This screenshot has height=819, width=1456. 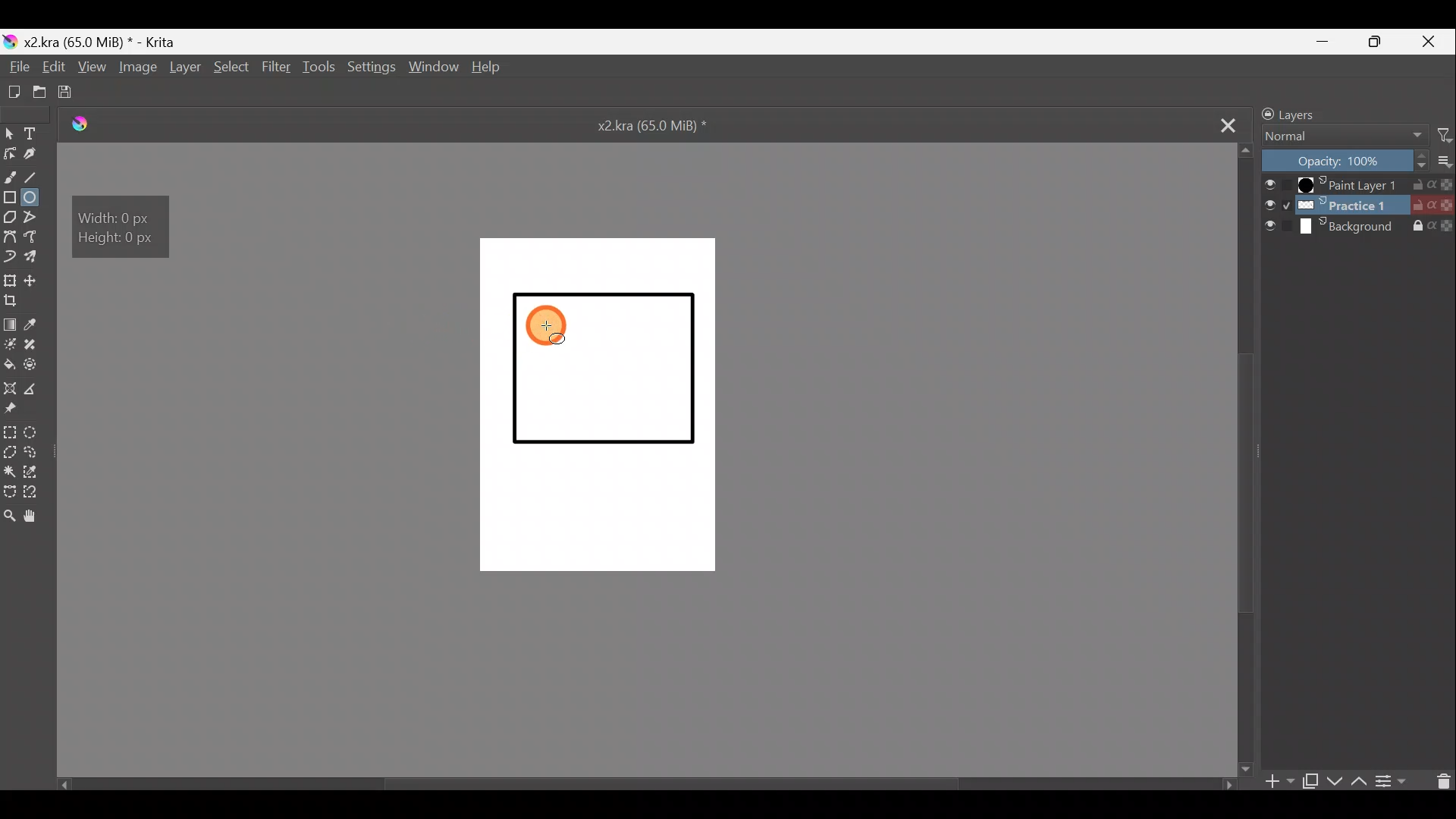 What do you see at coordinates (655, 127) in the screenshot?
I see `x2.kra (65.0 MiB) *` at bounding box center [655, 127].